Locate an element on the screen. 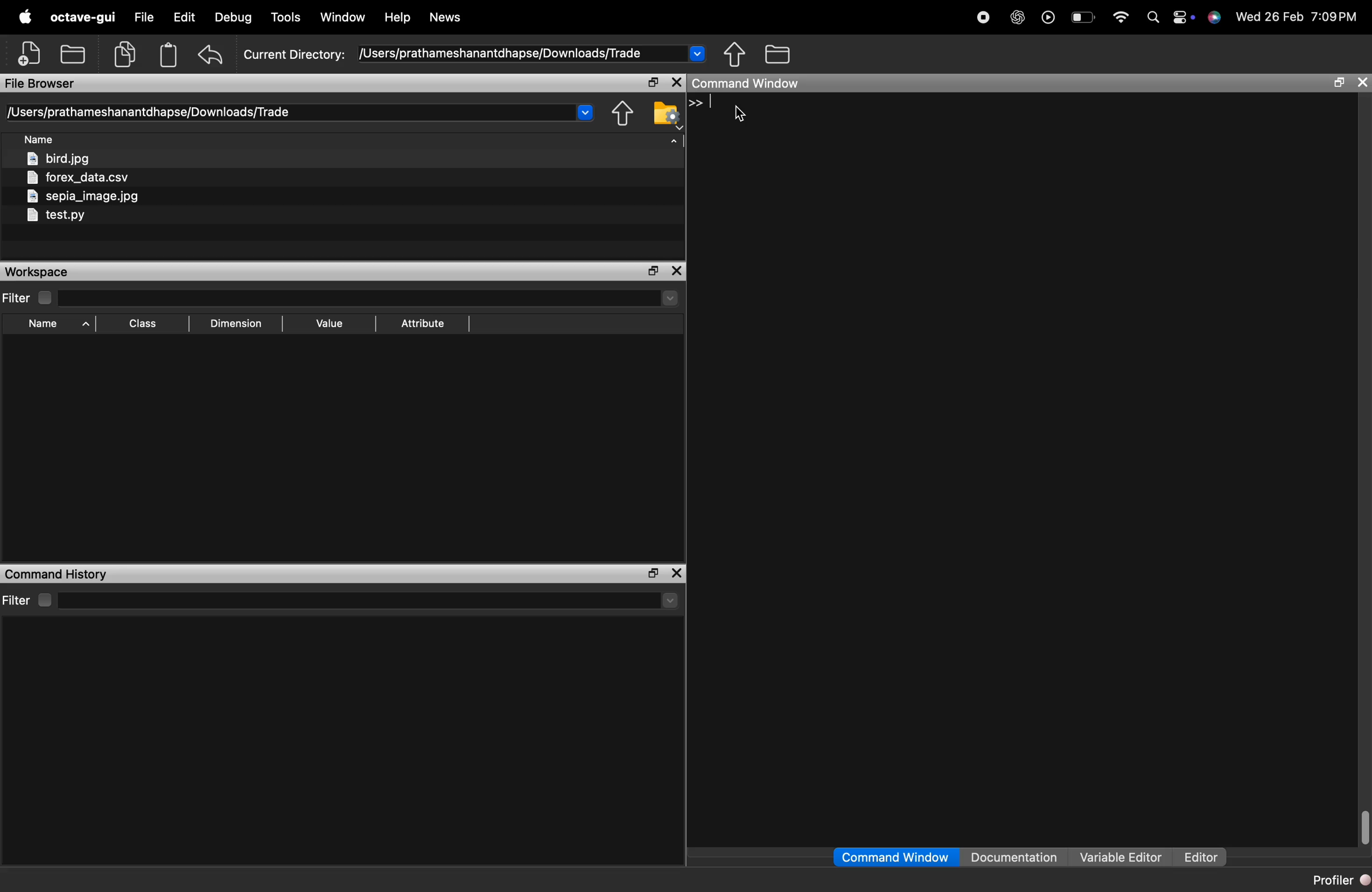  variable editor is located at coordinates (1121, 857).